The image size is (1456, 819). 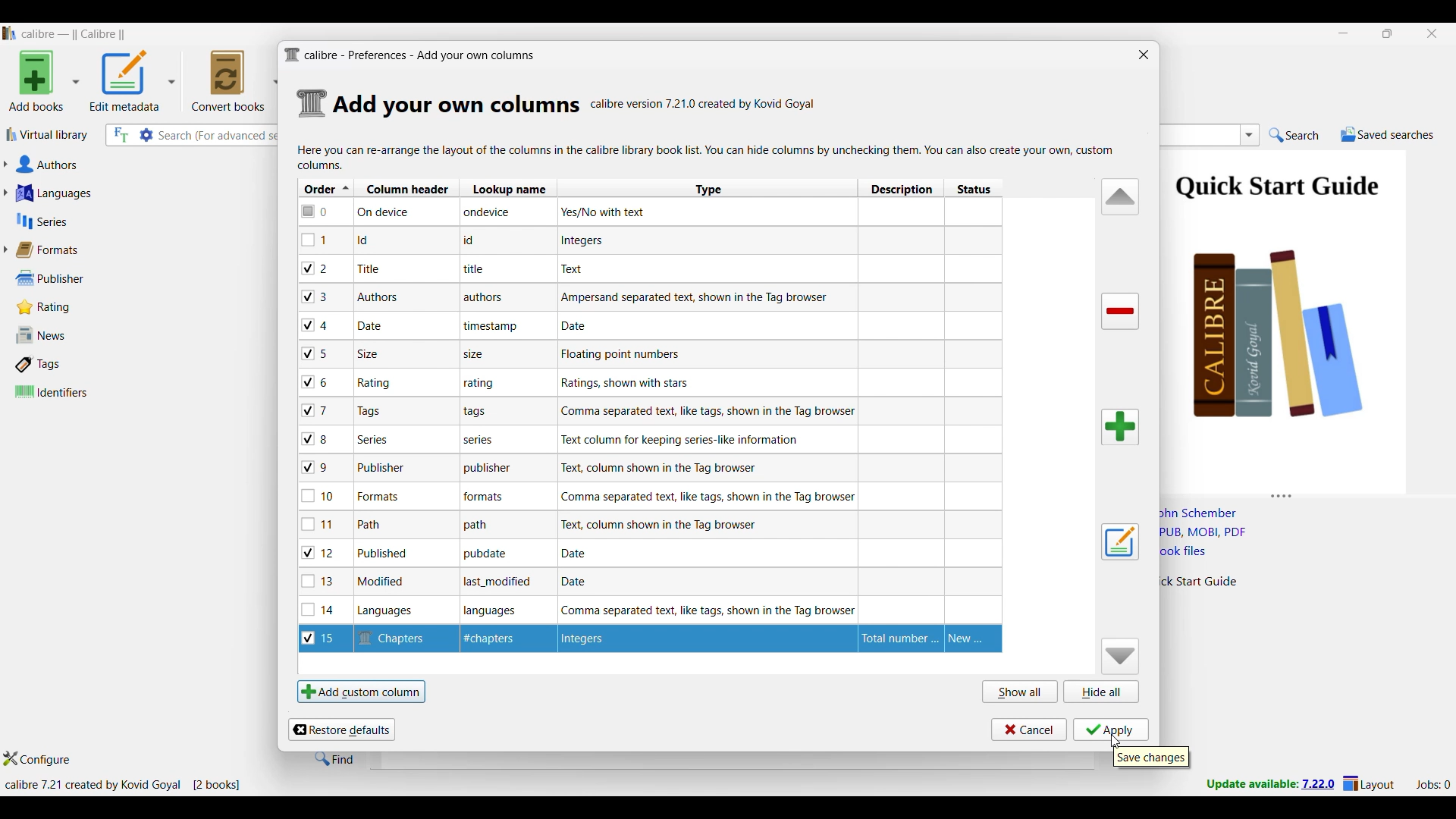 I want to click on Software logo, so click(x=10, y=33).